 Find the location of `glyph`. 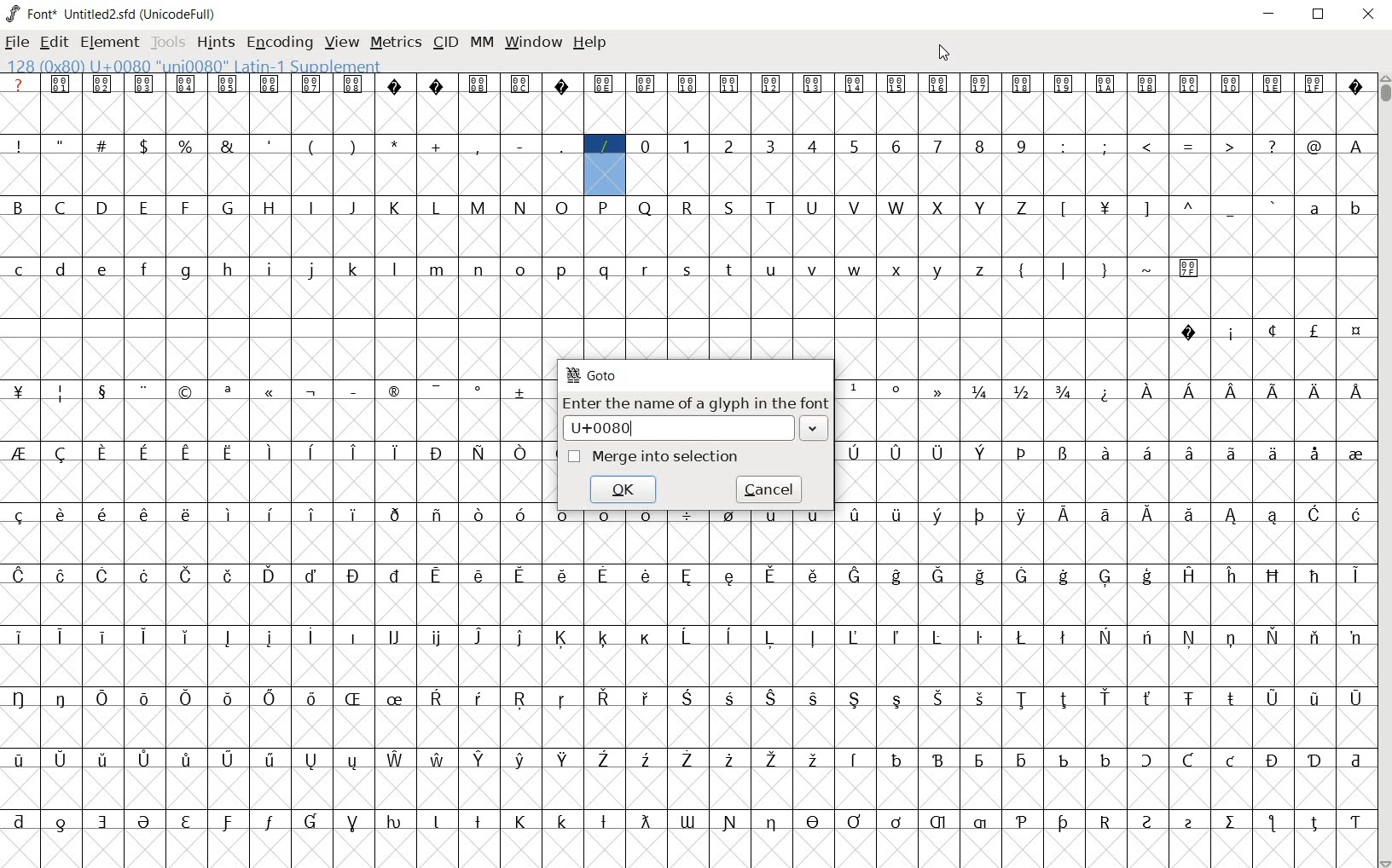

glyph is located at coordinates (187, 514).